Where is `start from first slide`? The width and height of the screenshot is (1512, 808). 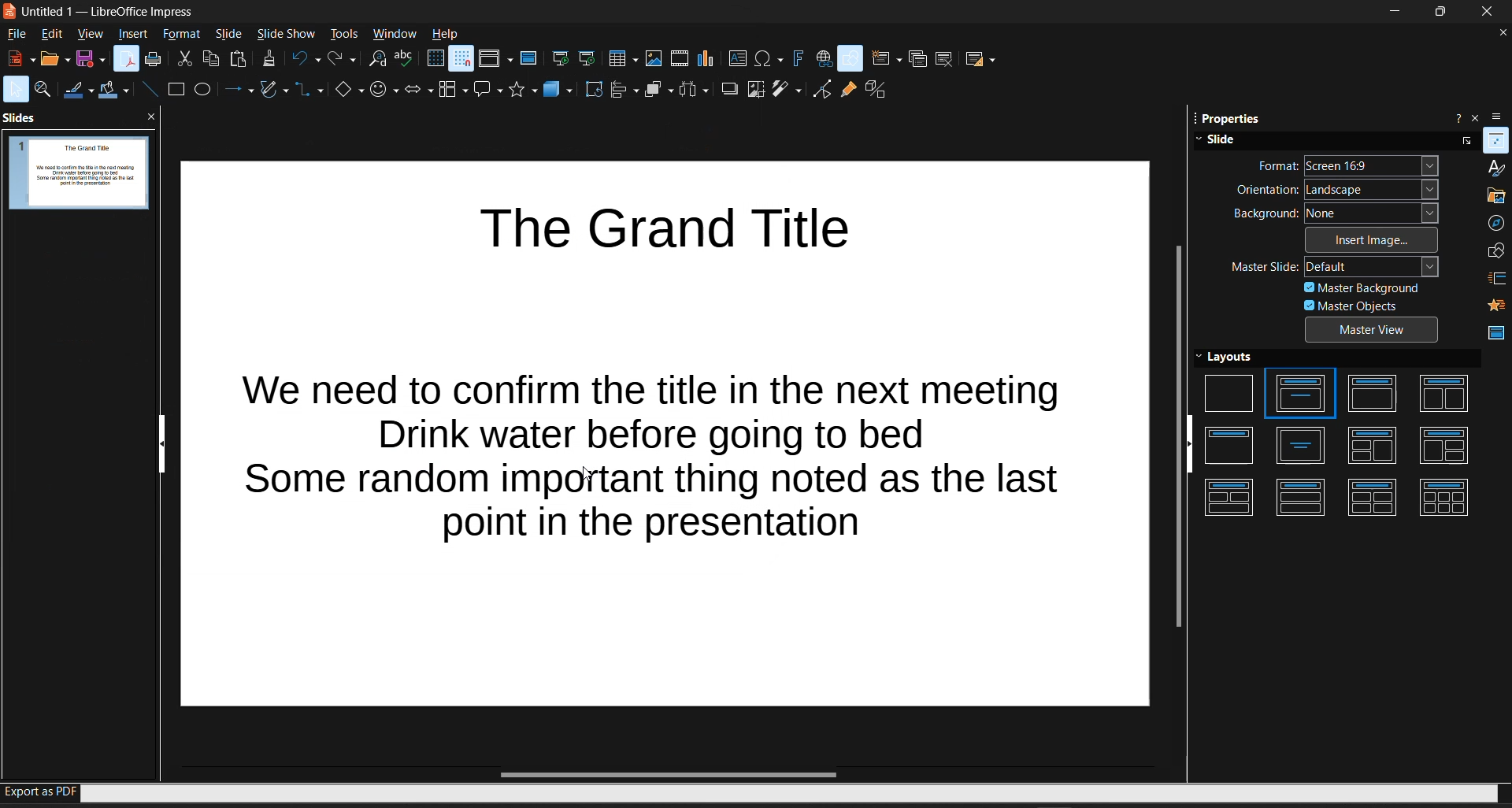
start from first slide is located at coordinates (561, 57).